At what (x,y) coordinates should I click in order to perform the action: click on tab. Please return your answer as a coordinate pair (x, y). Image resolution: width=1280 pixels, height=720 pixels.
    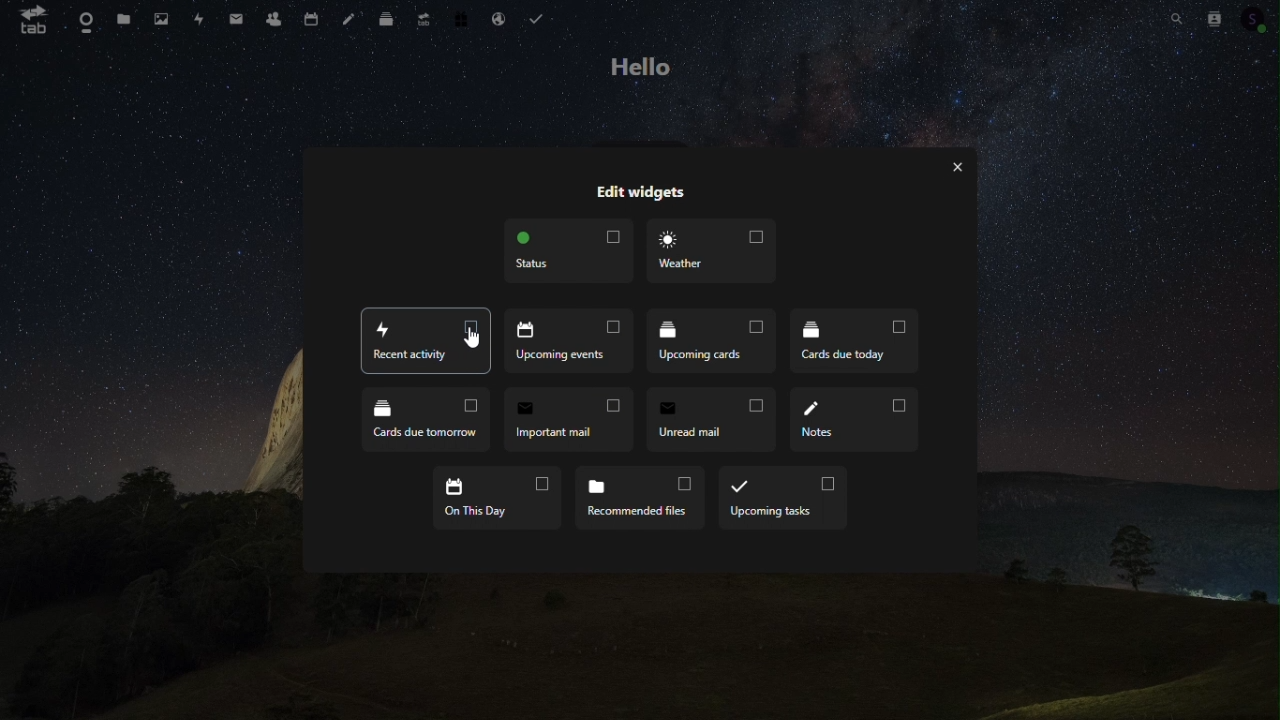
    Looking at the image, I should click on (33, 22).